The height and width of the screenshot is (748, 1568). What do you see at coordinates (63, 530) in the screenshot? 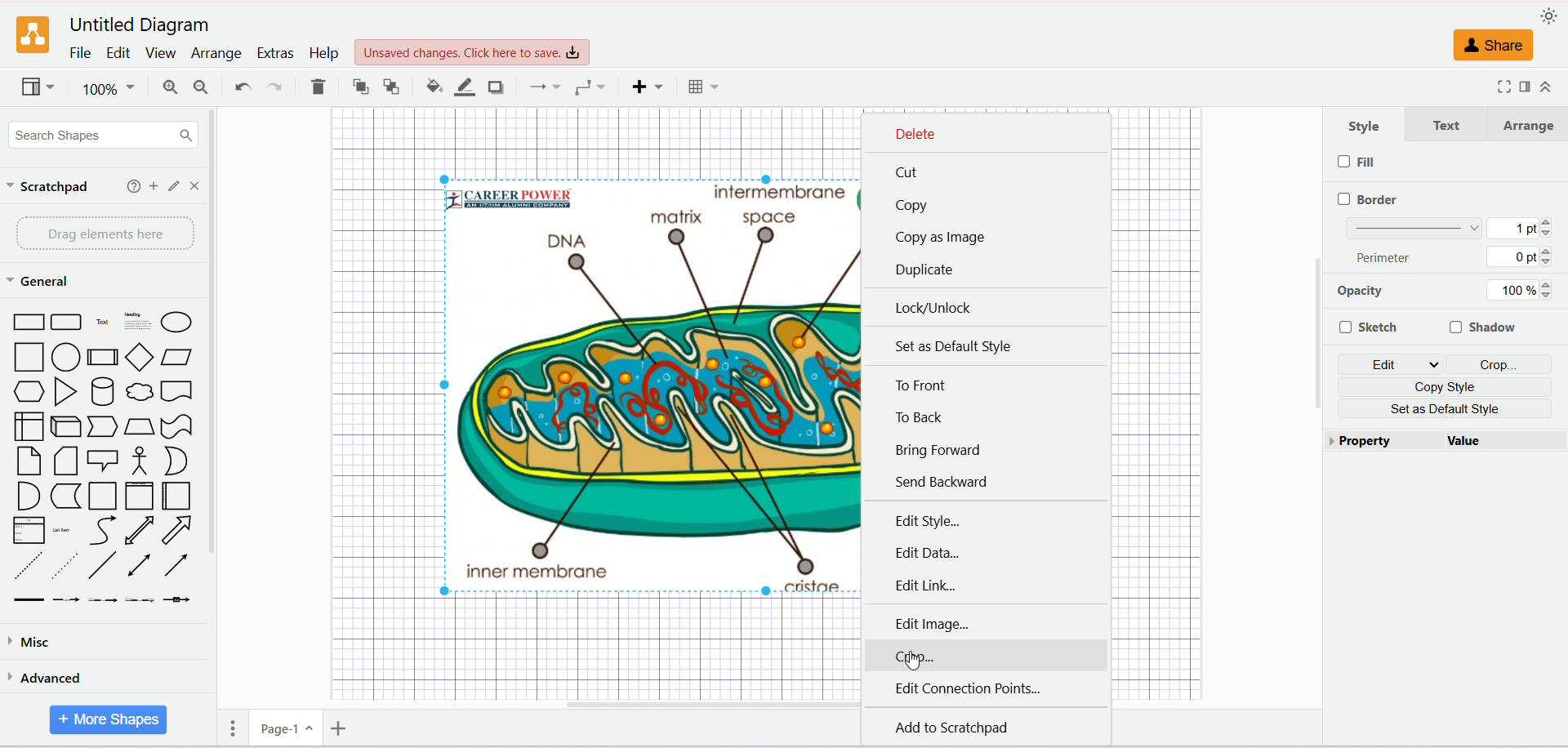
I see `List Item` at bounding box center [63, 530].